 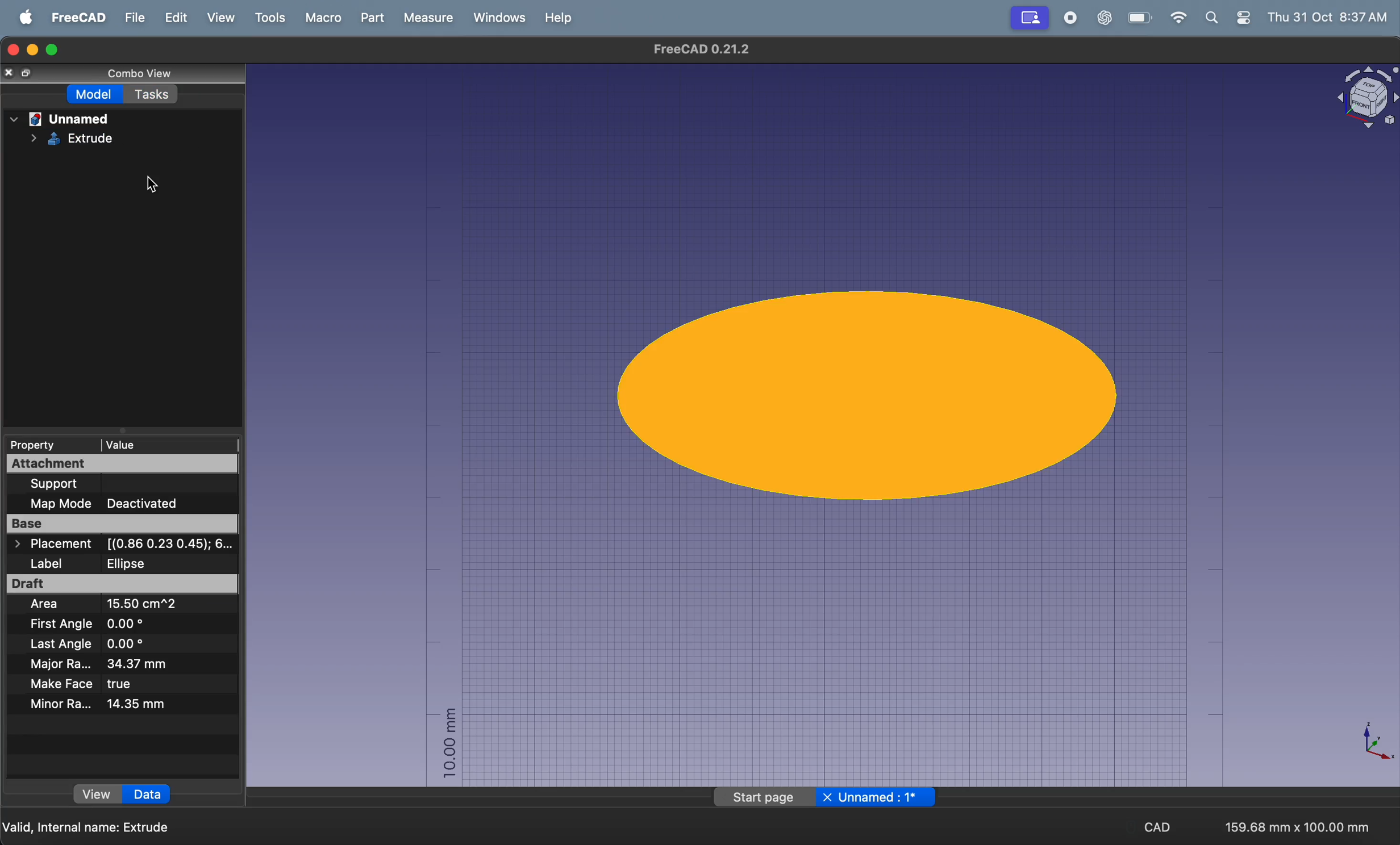 I want to click on last angle, so click(x=84, y=645).